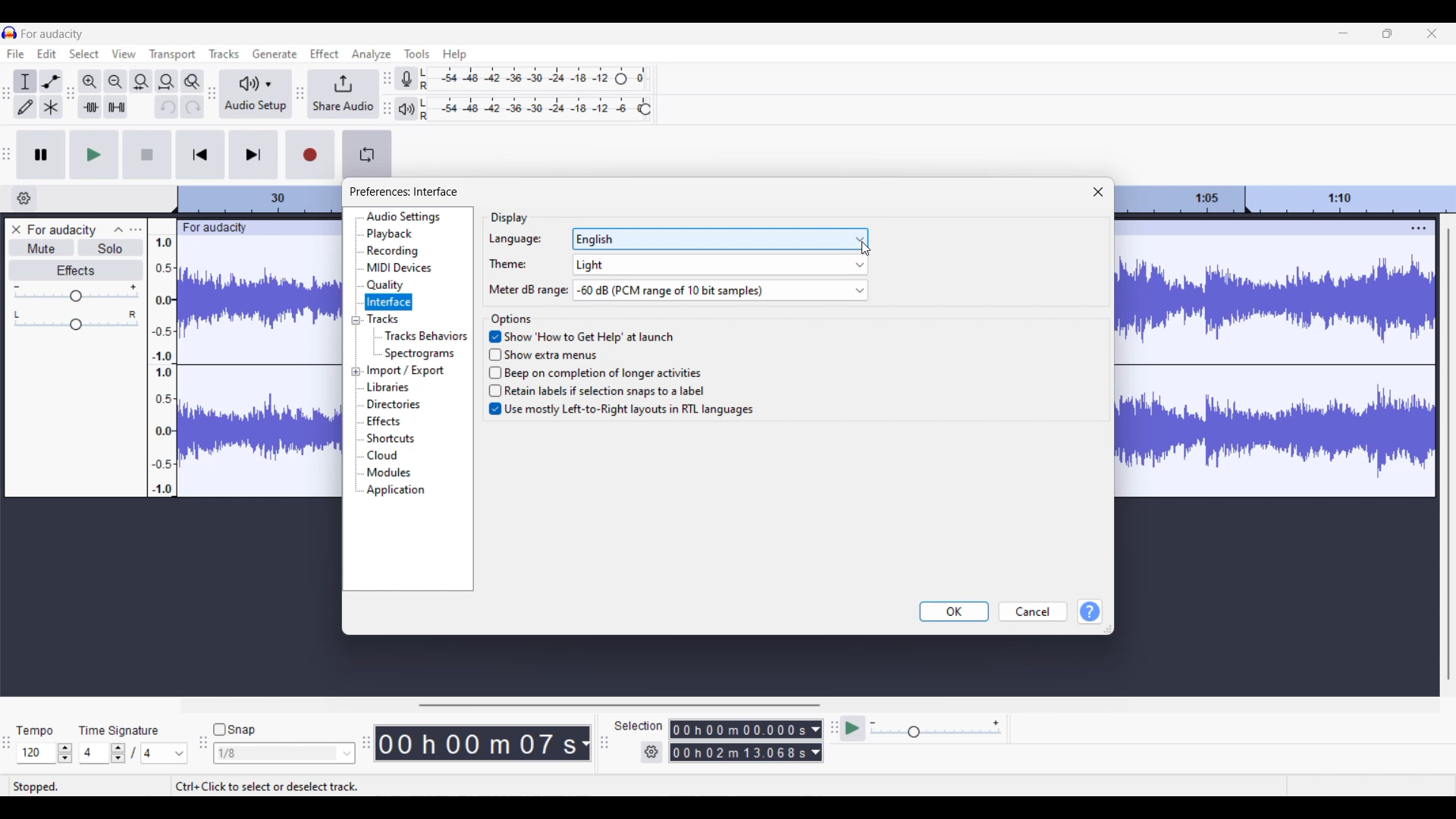 Image resolution: width=1456 pixels, height=819 pixels. Describe the element at coordinates (41, 155) in the screenshot. I see `Pause` at that location.